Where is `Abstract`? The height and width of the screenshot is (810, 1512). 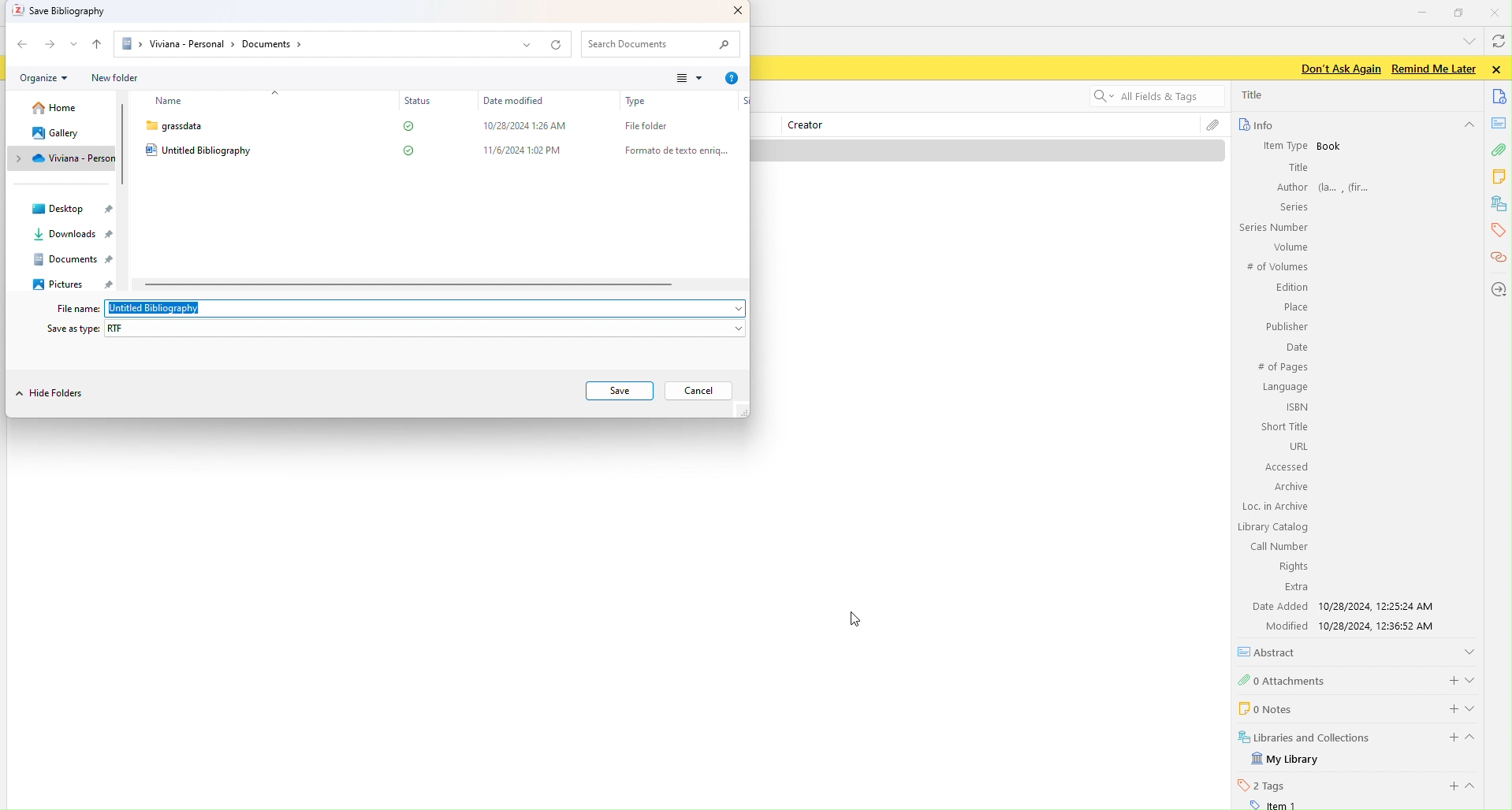
Abstract is located at coordinates (1272, 652).